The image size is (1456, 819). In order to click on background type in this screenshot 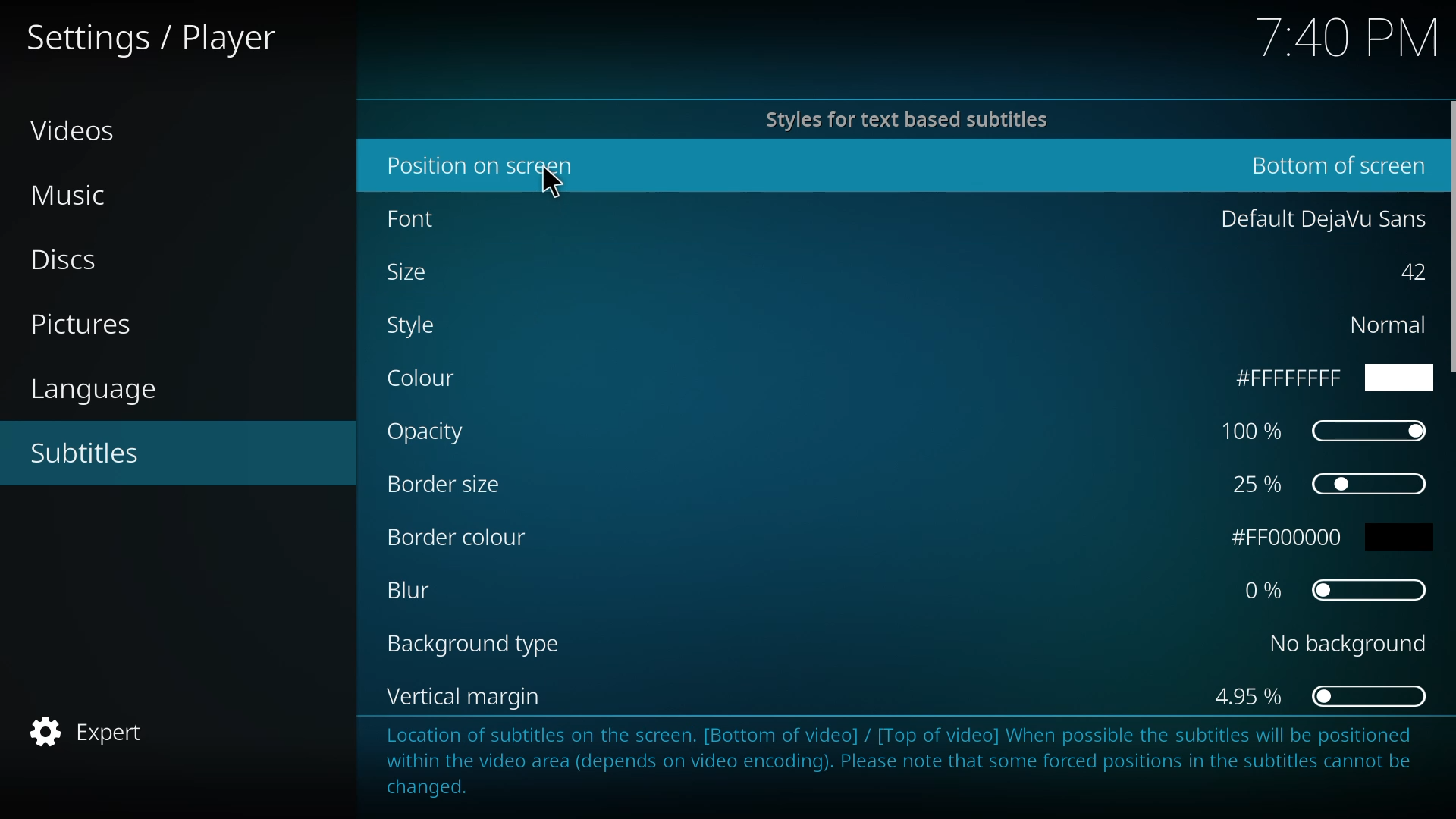, I will do `click(472, 644)`.